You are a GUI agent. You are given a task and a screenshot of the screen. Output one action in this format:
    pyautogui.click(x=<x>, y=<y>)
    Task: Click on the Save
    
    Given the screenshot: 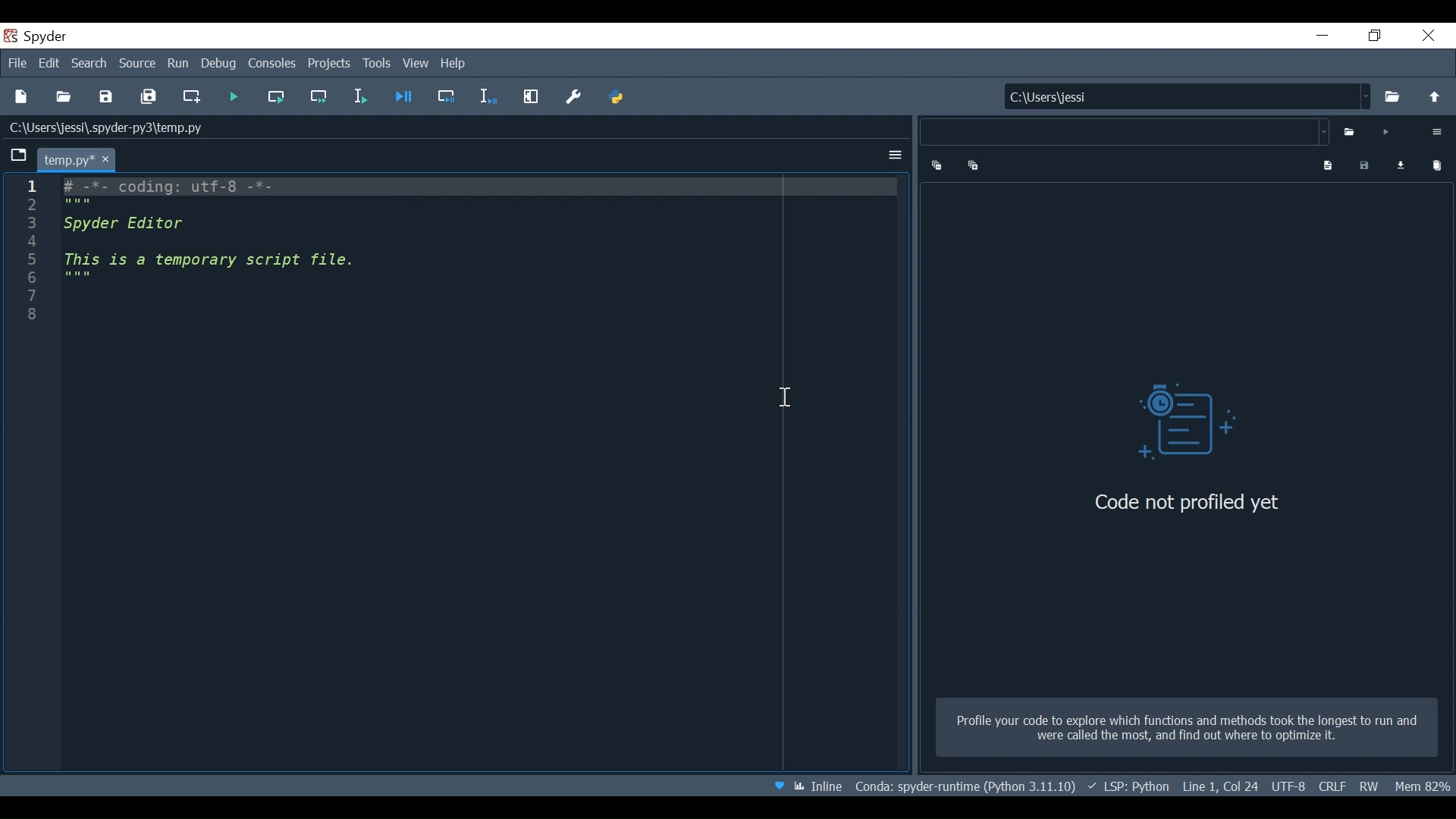 What is the action you would take?
    pyautogui.click(x=1367, y=165)
    